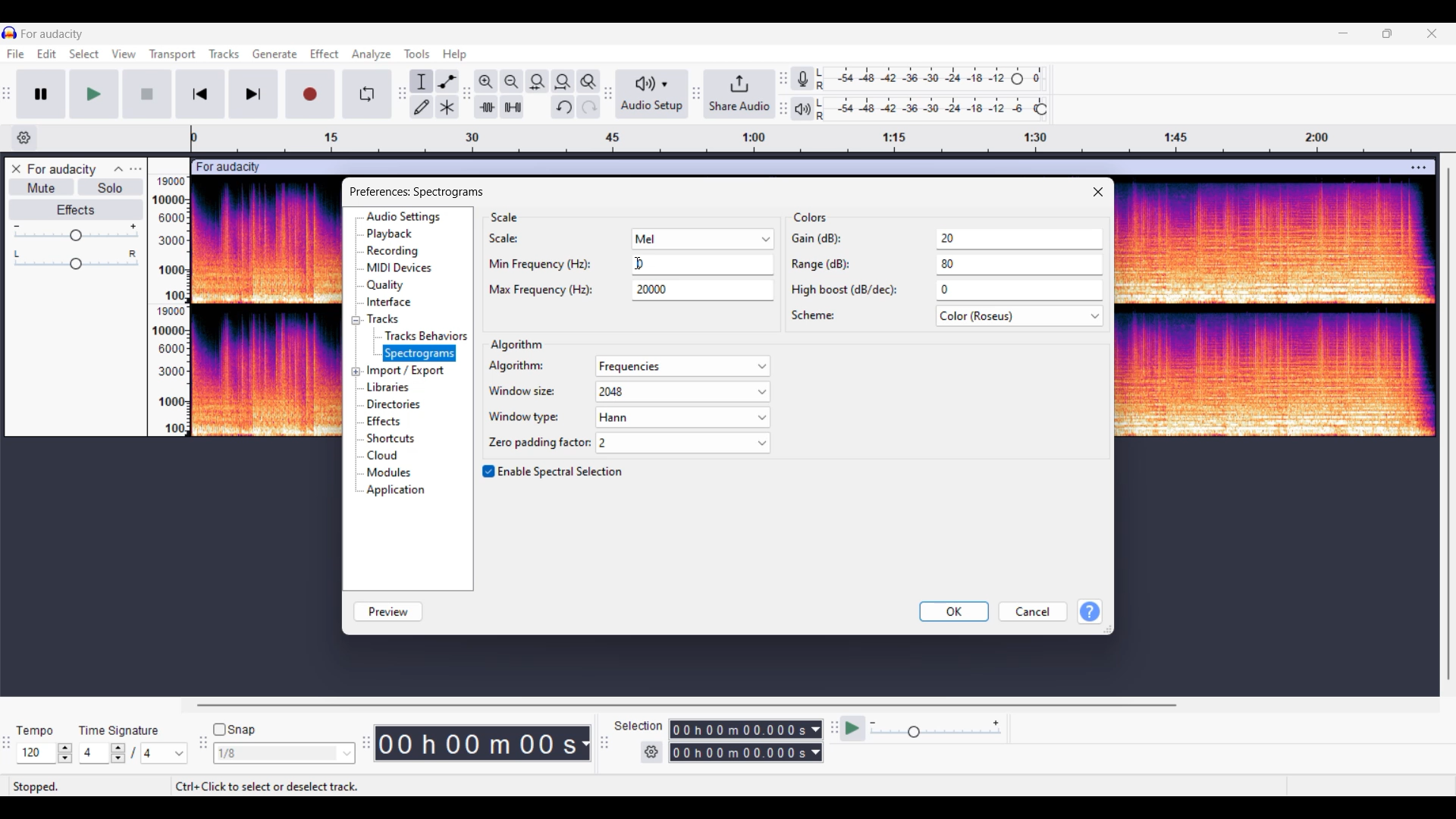 This screenshot has width=1456, height=819. Describe the element at coordinates (816, 741) in the screenshot. I see `Selection duration measurement` at that location.